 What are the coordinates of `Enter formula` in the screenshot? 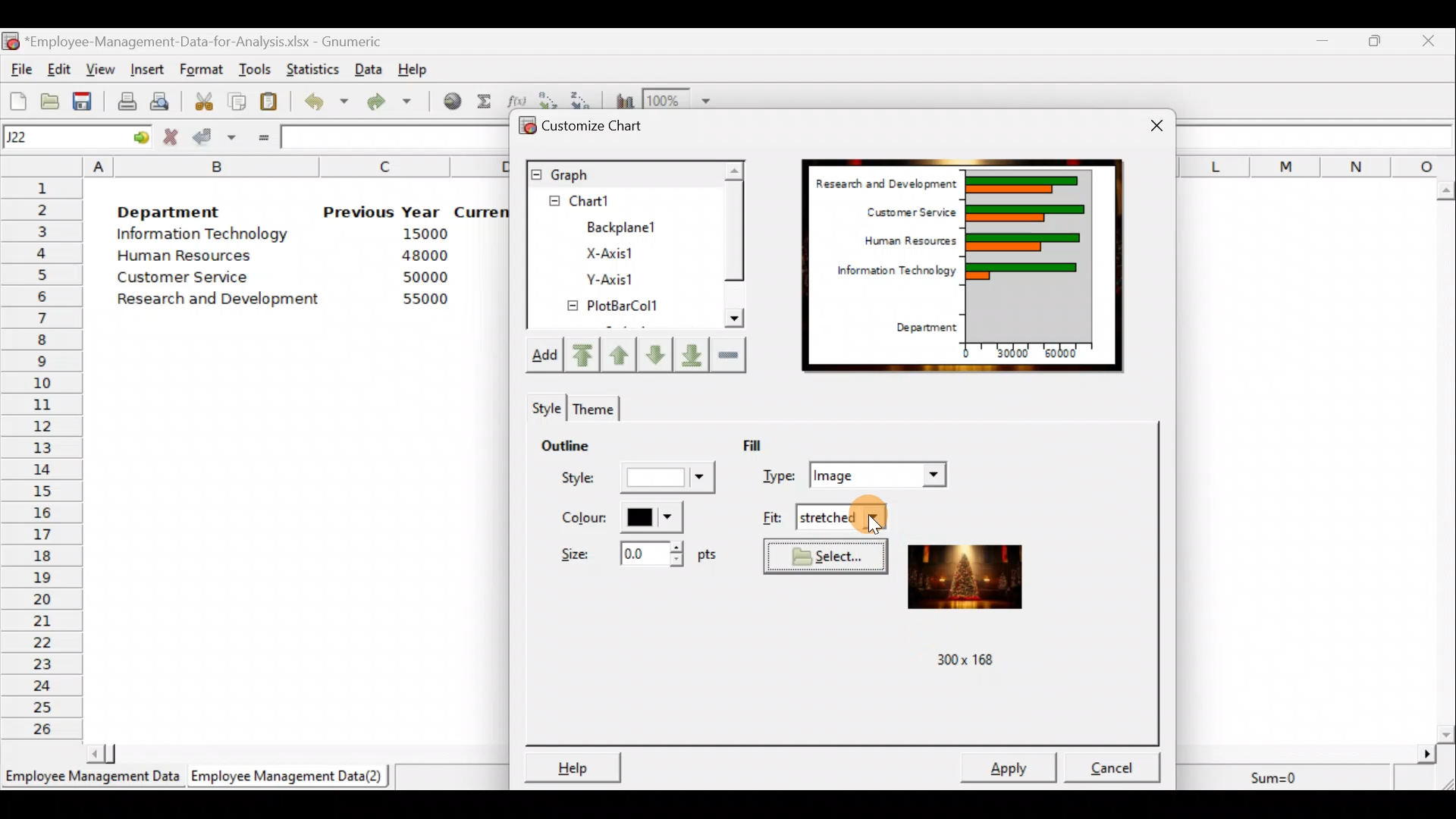 It's located at (261, 138).